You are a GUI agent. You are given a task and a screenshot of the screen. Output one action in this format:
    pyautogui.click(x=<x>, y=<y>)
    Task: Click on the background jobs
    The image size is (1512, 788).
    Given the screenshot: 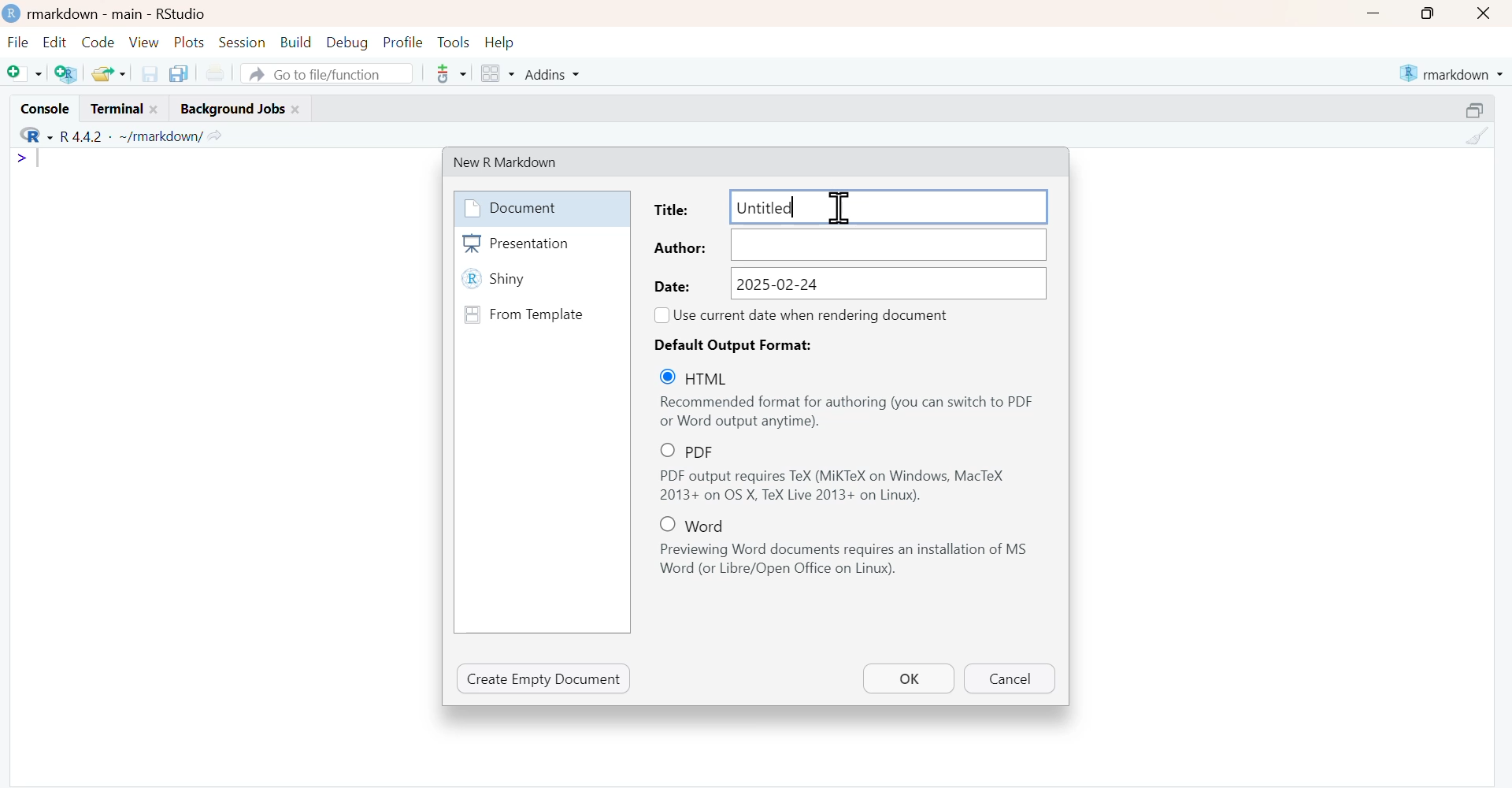 What is the action you would take?
    pyautogui.click(x=236, y=110)
    